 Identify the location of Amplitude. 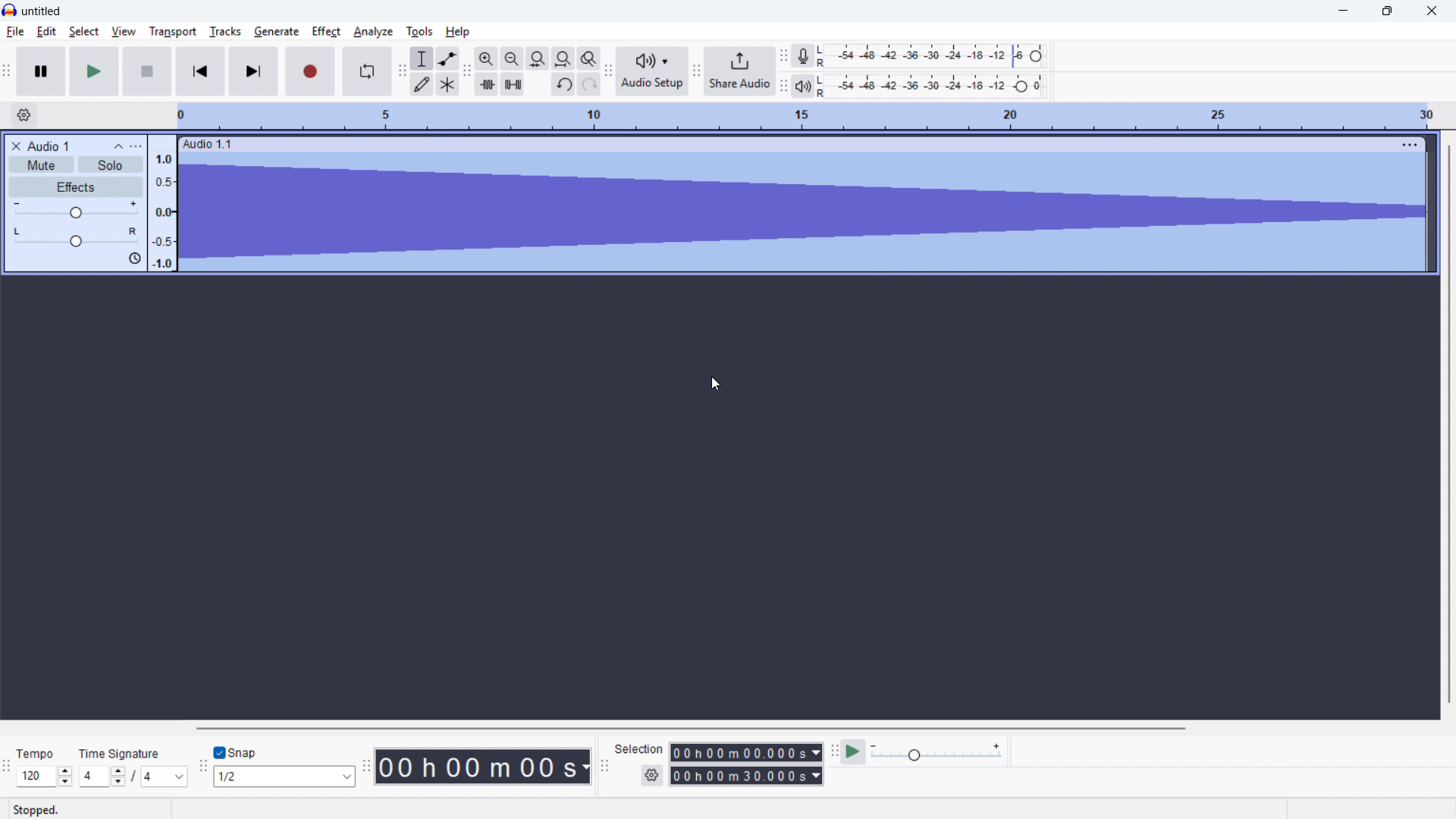
(164, 203).